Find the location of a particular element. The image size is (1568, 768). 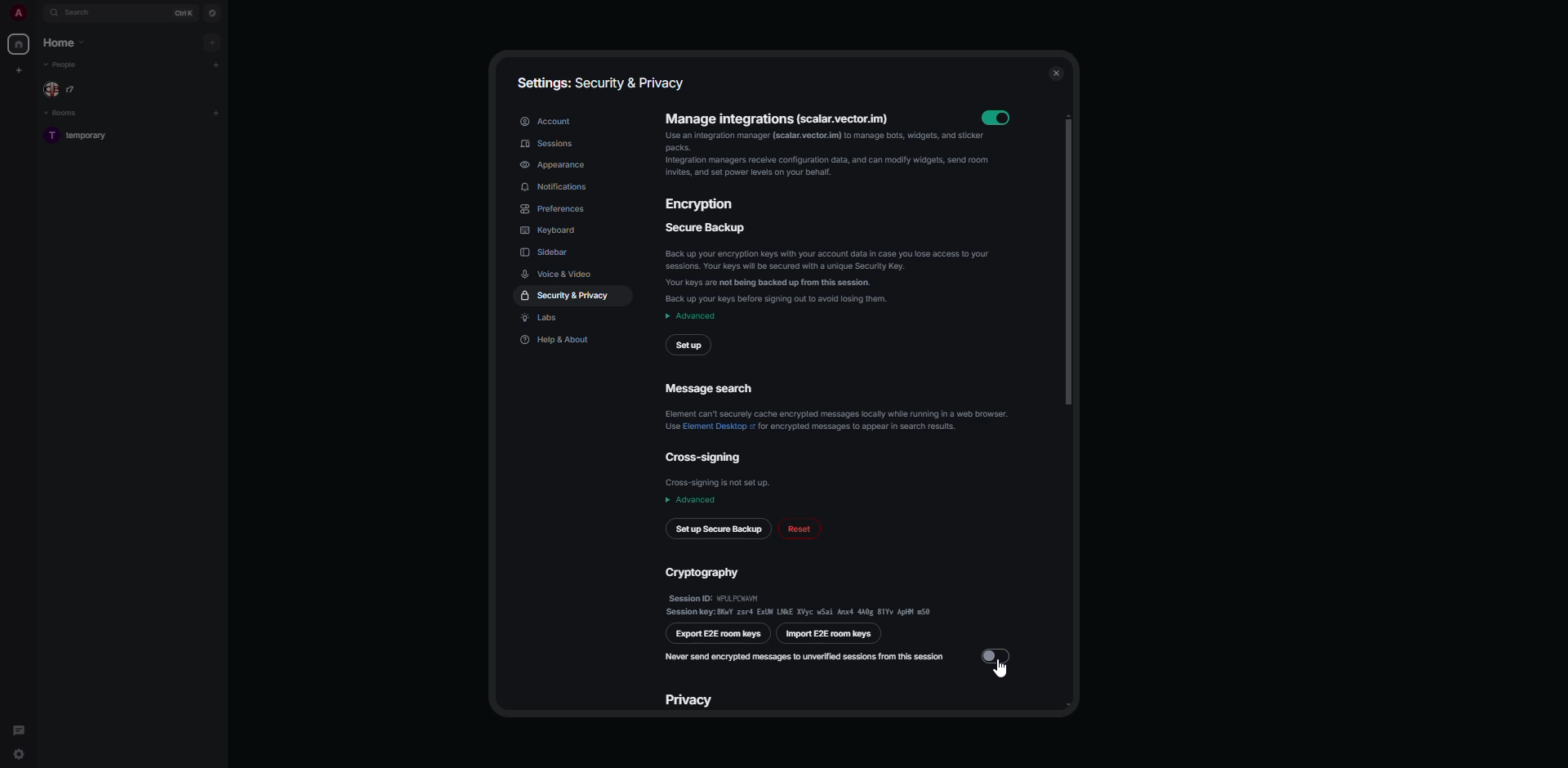

import e2e room keys is located at coordinates (828, 636).